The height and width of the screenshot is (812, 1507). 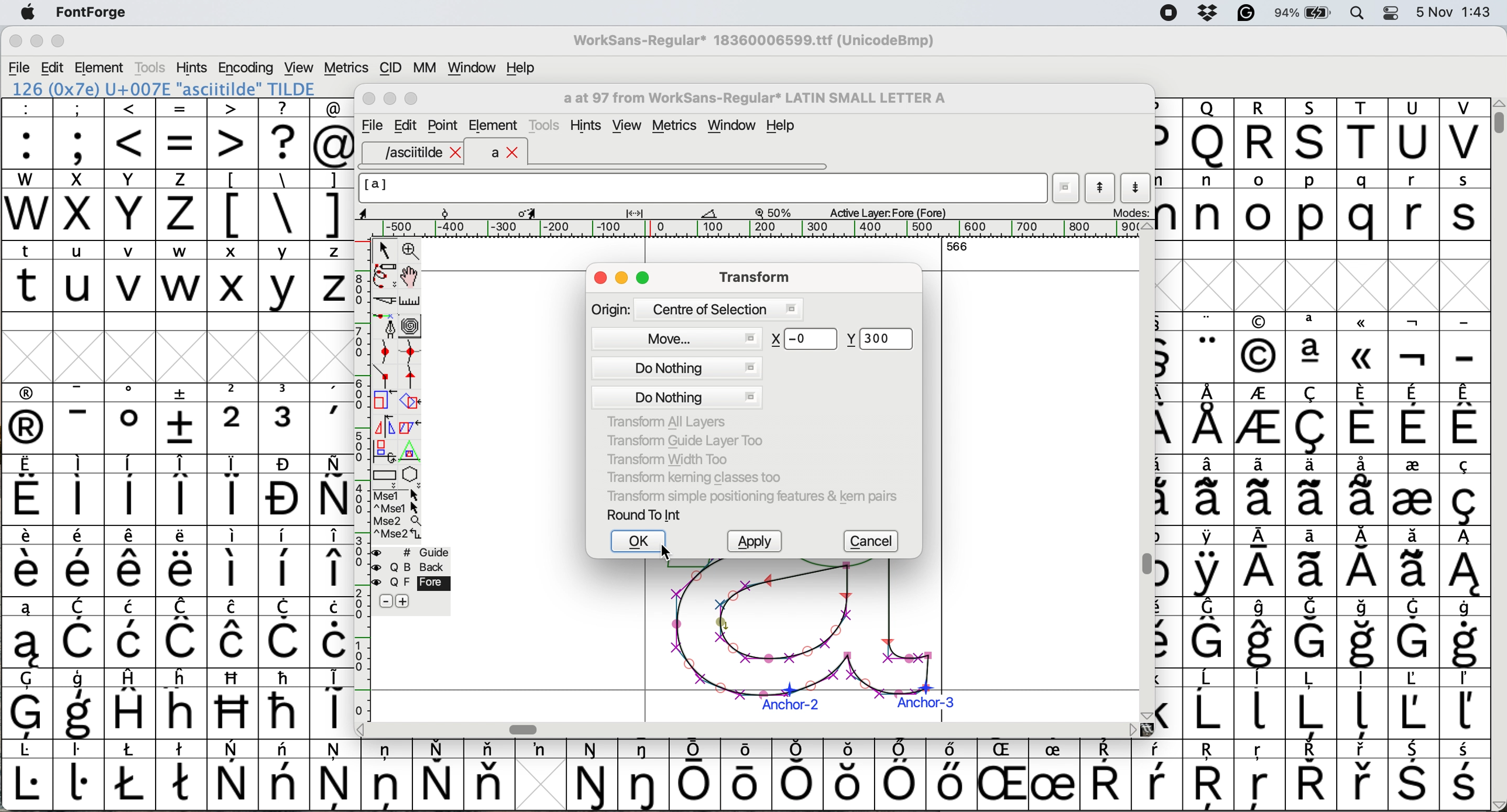 What do you see at coordinates (27, 776) in the screenshot?
I see `symbol` at bounding box center [27, 776].